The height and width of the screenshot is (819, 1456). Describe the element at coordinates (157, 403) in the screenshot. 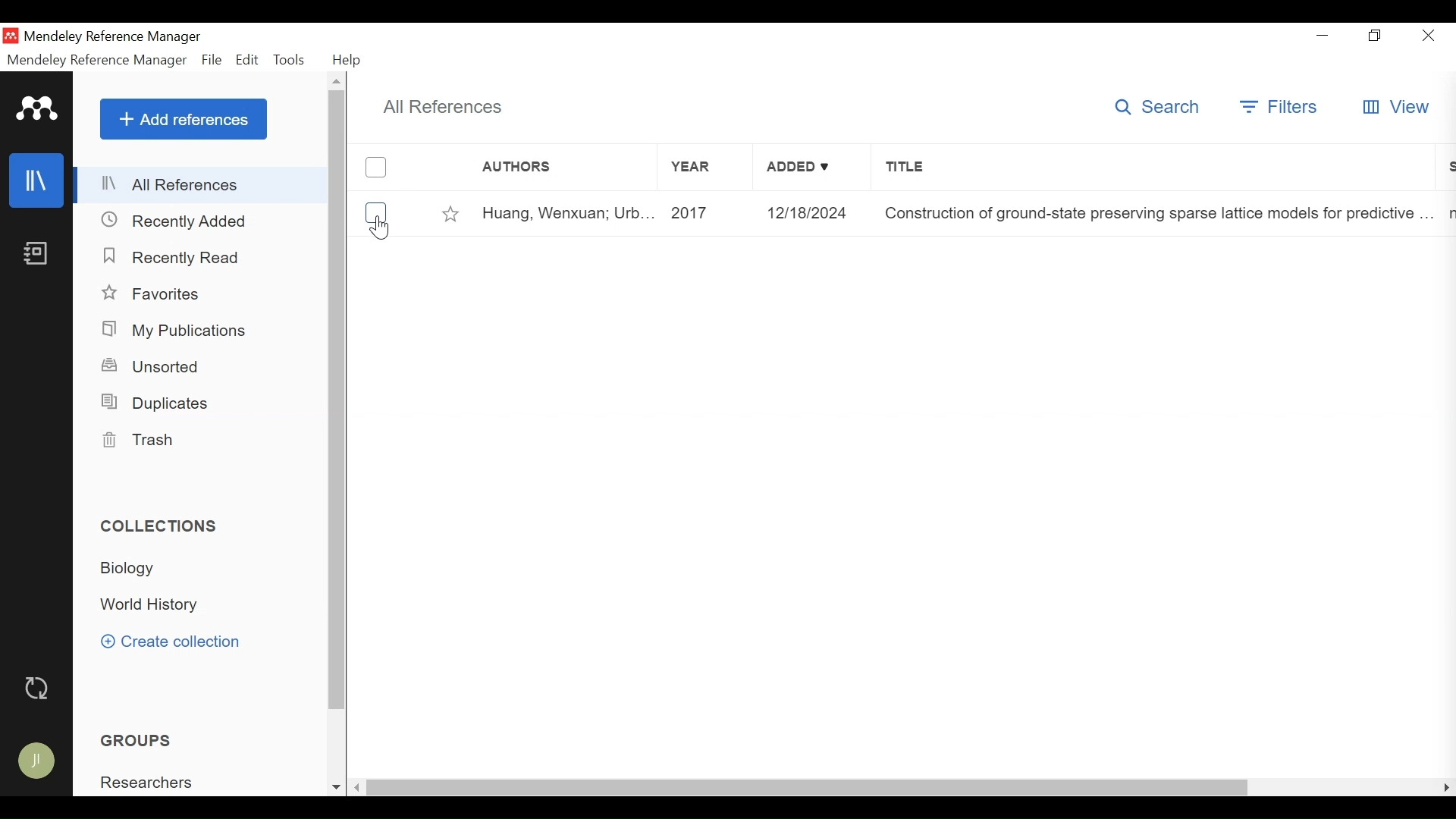

I see `Duplicates` at that location.